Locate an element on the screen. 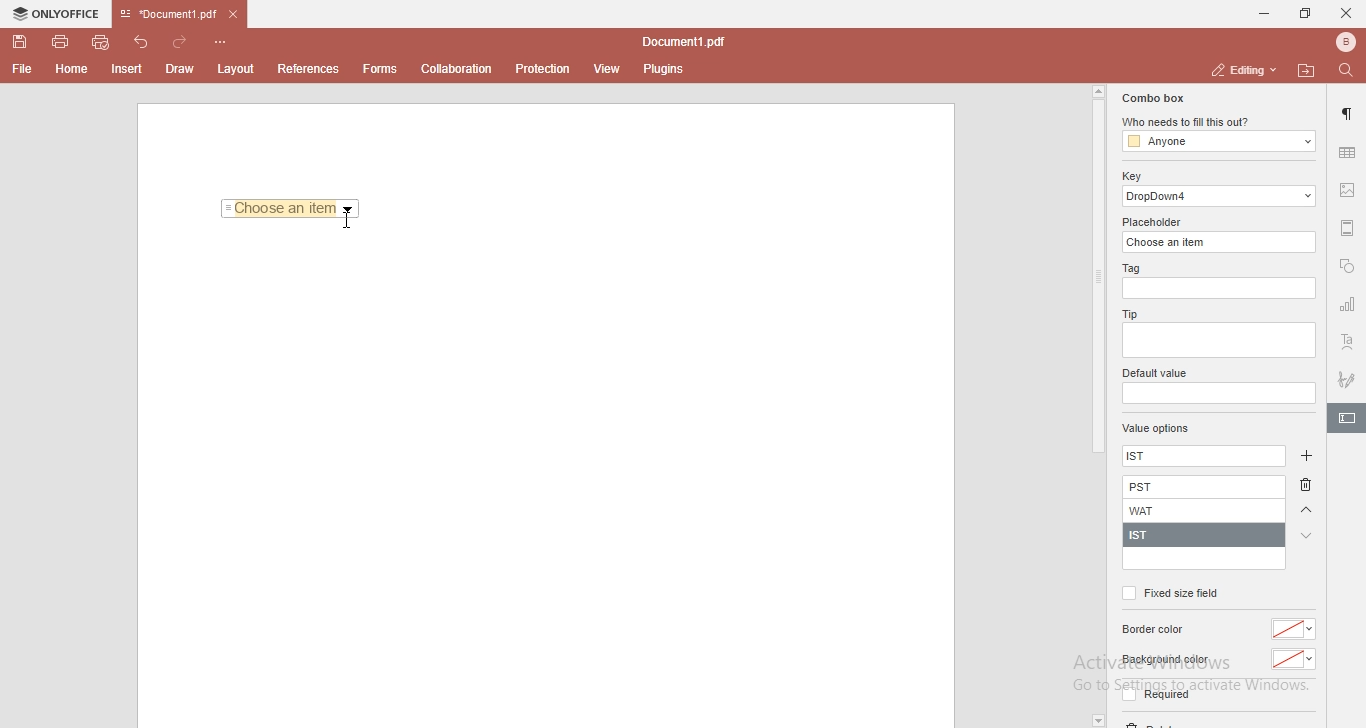 This screenshot has height=728, width=1366. bluetooth is located at coordinates (1340, 42).